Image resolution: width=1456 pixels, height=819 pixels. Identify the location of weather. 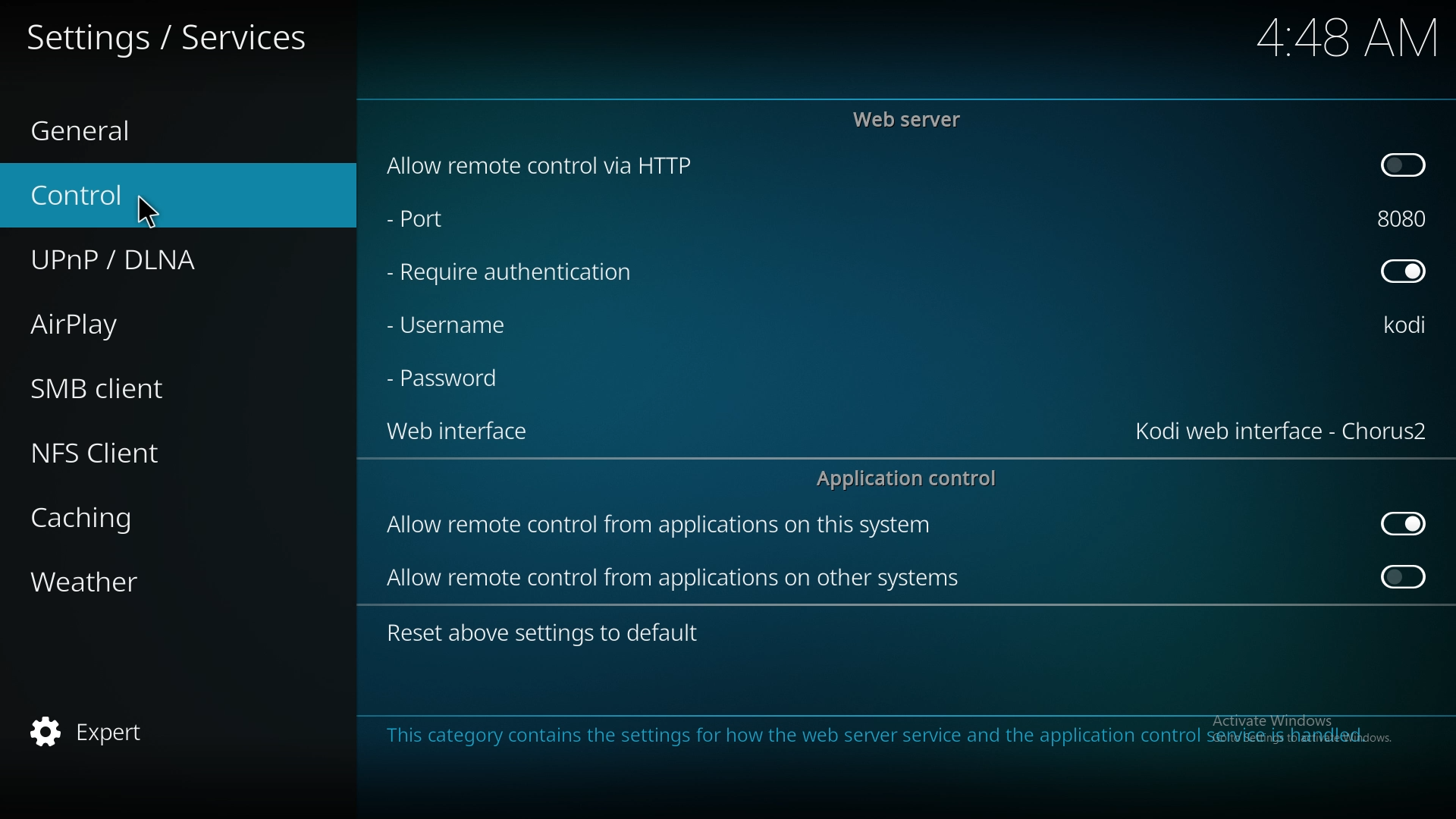
(117, 582).